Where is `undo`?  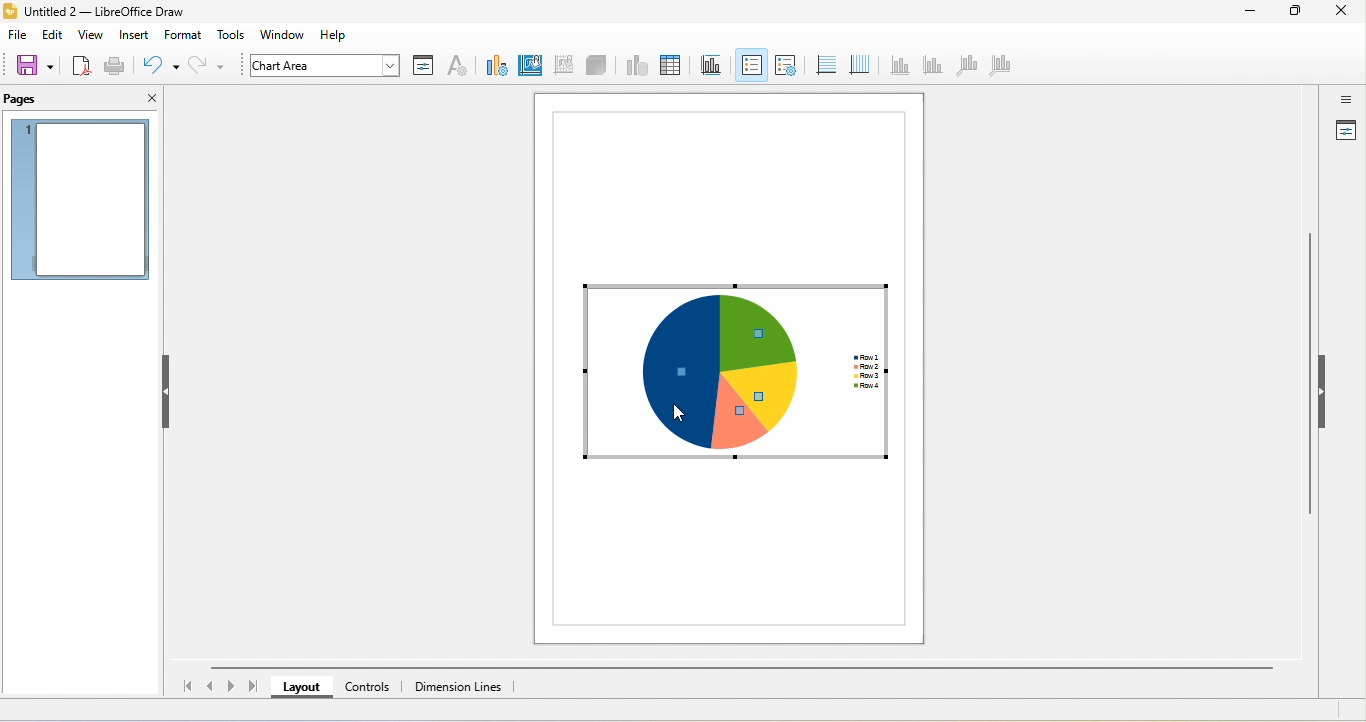
undo is located at coordinates (160, 65).